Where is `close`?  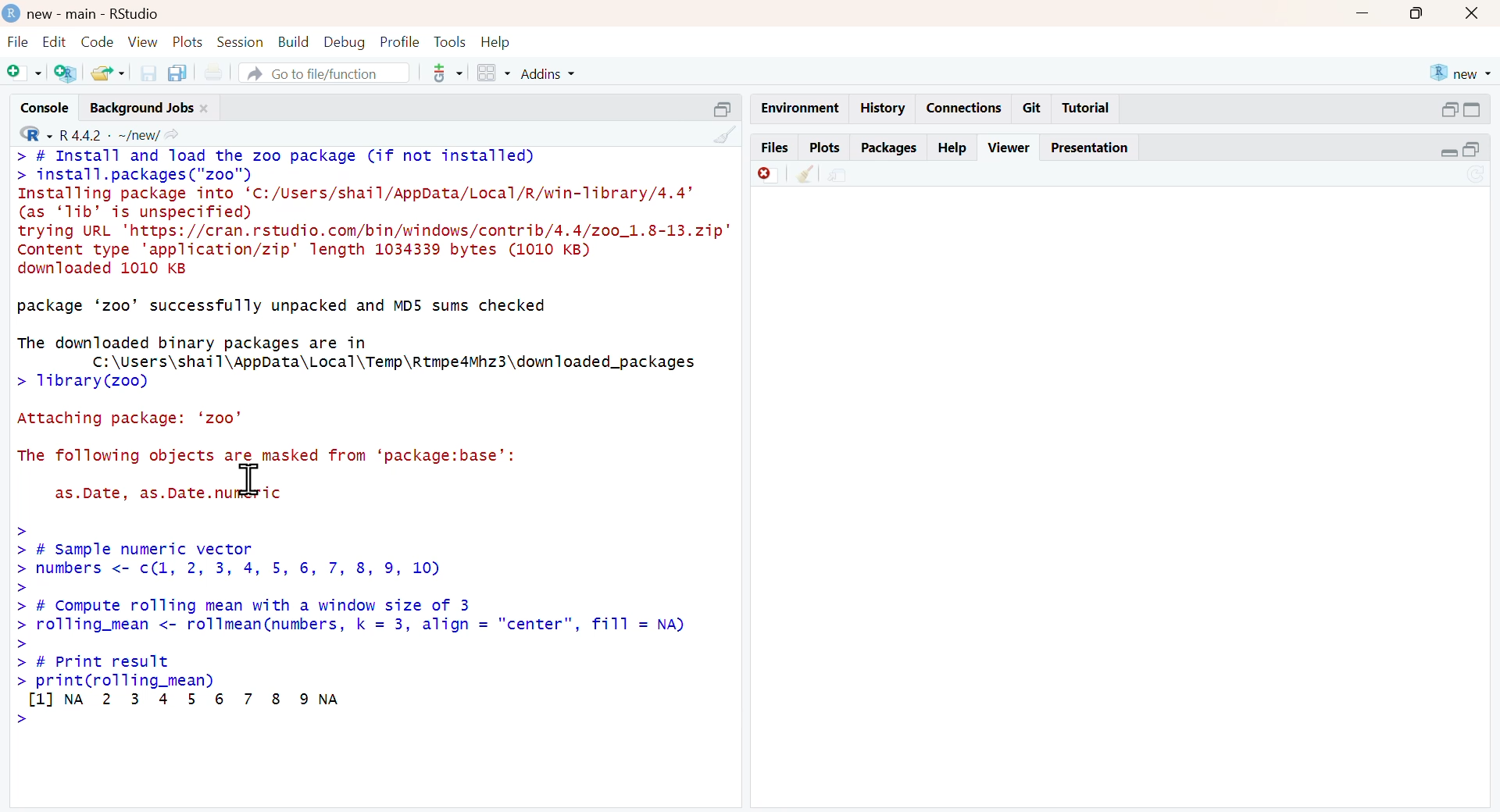 close is located at coordinates (205, 109).